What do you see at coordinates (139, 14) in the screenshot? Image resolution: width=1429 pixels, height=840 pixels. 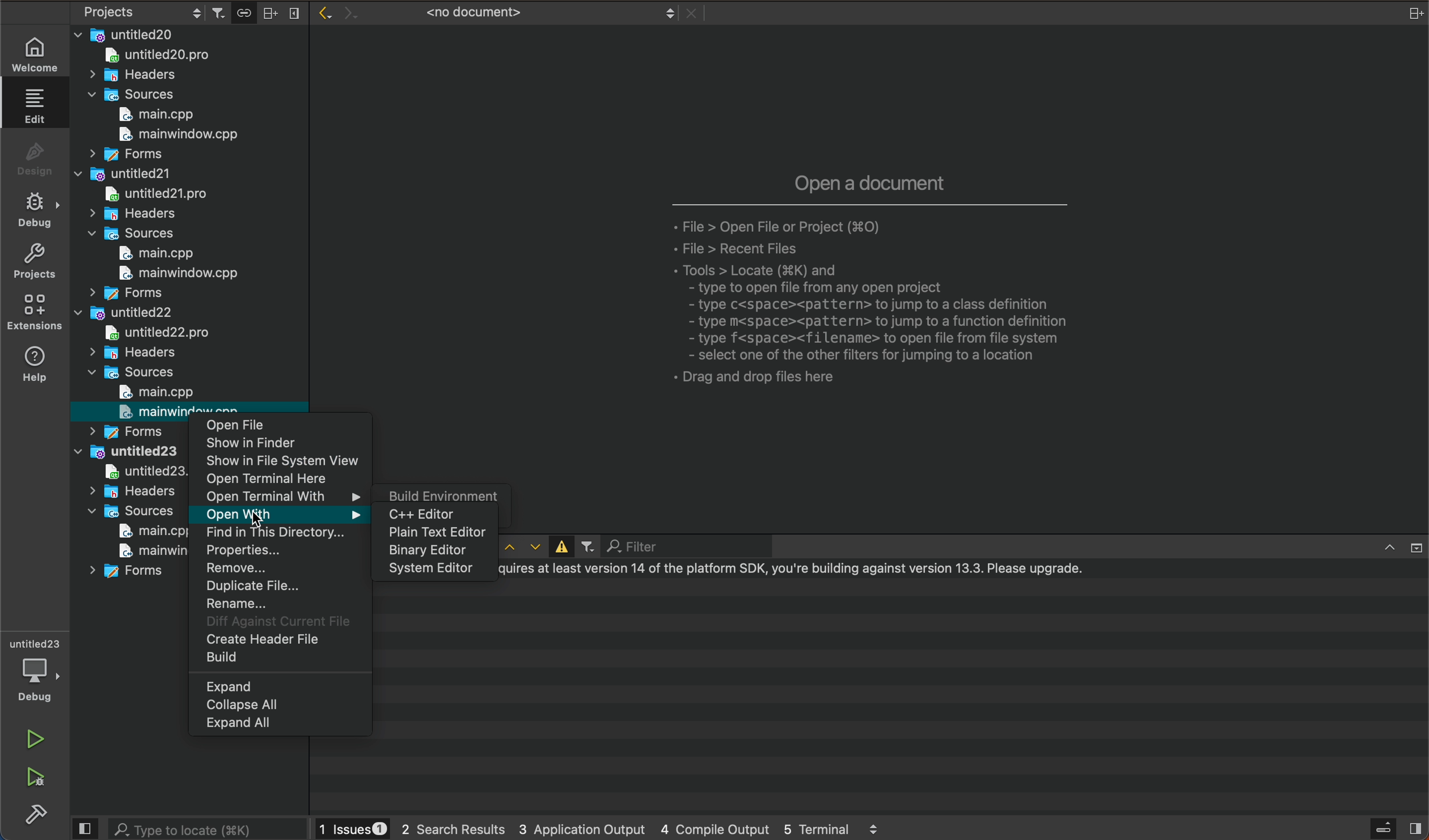 I see `pojects` at bounding box center [139, 14].